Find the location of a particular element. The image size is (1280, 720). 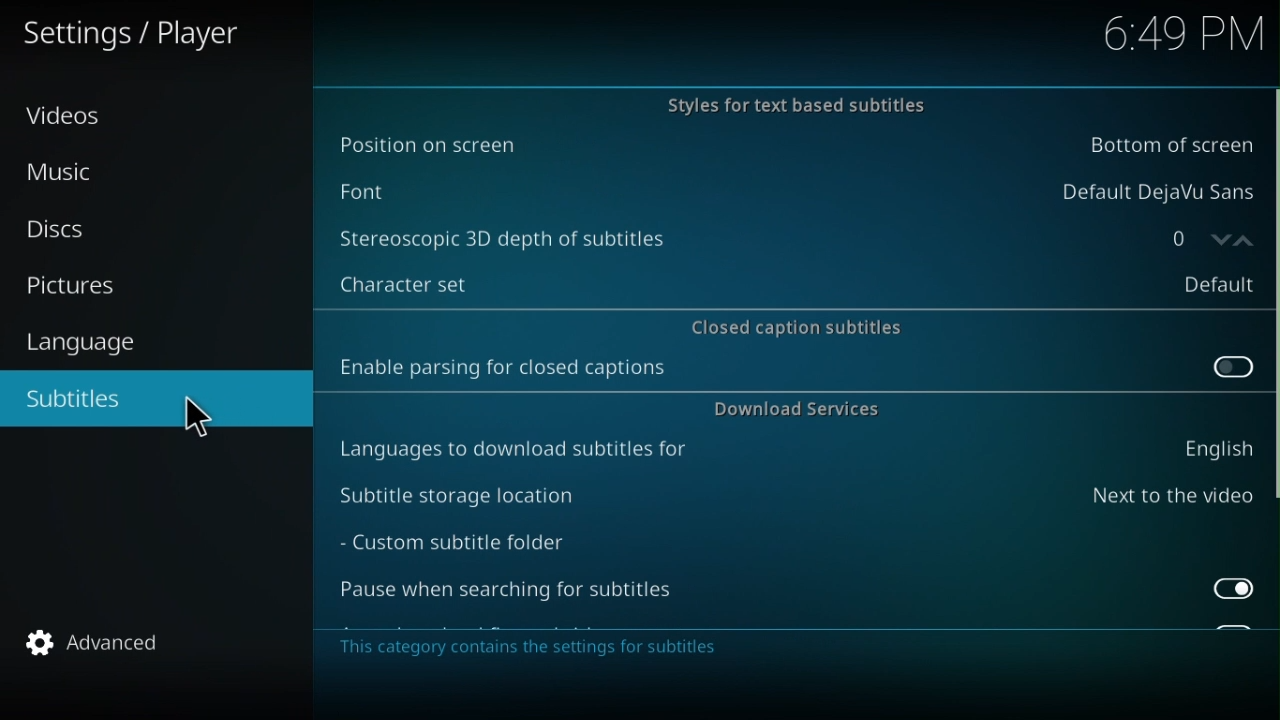

Discs is located at coordinates (67, 229).